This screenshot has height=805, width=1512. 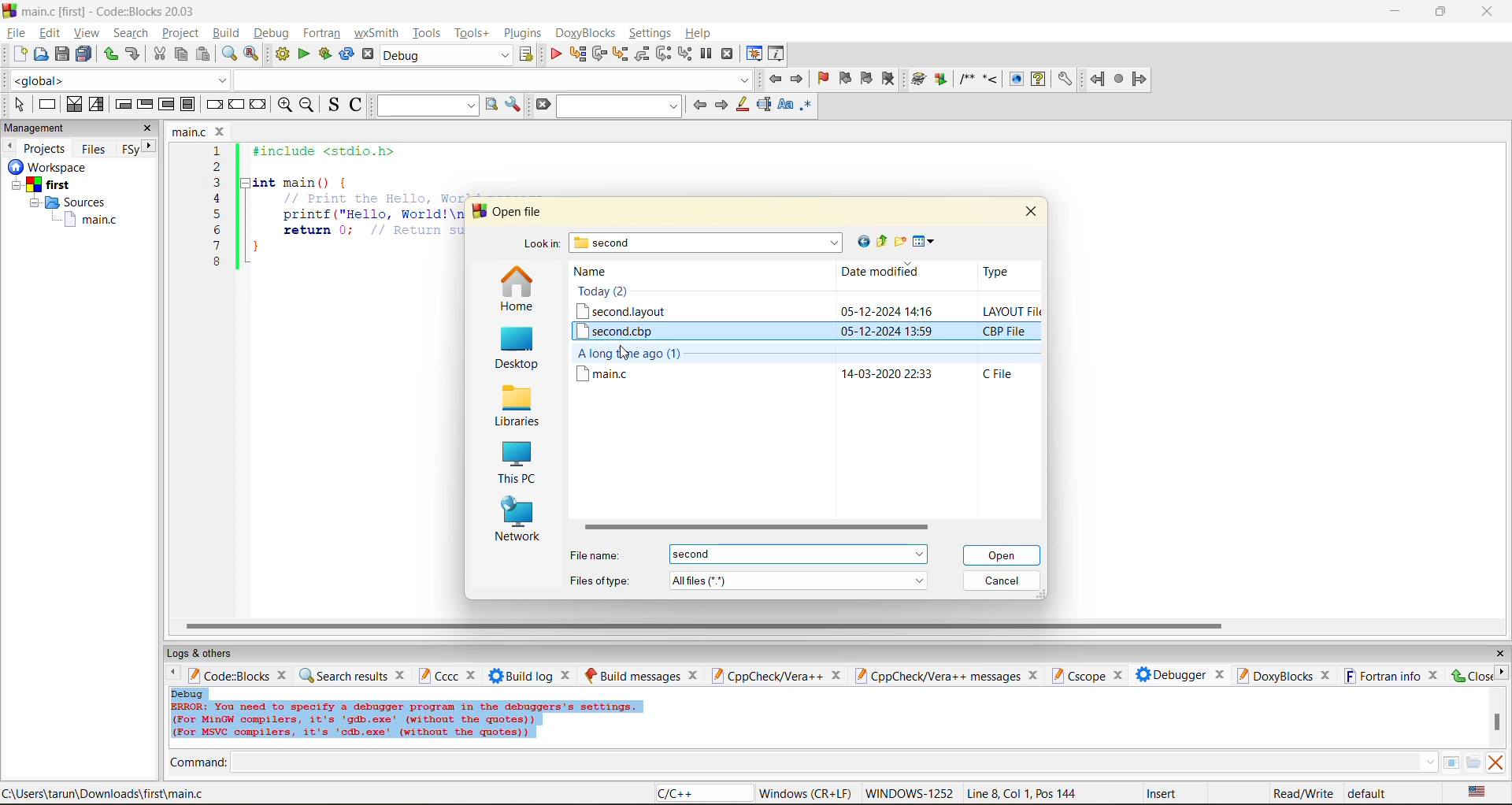 I want to click on previous, so click(x=169, y=674).